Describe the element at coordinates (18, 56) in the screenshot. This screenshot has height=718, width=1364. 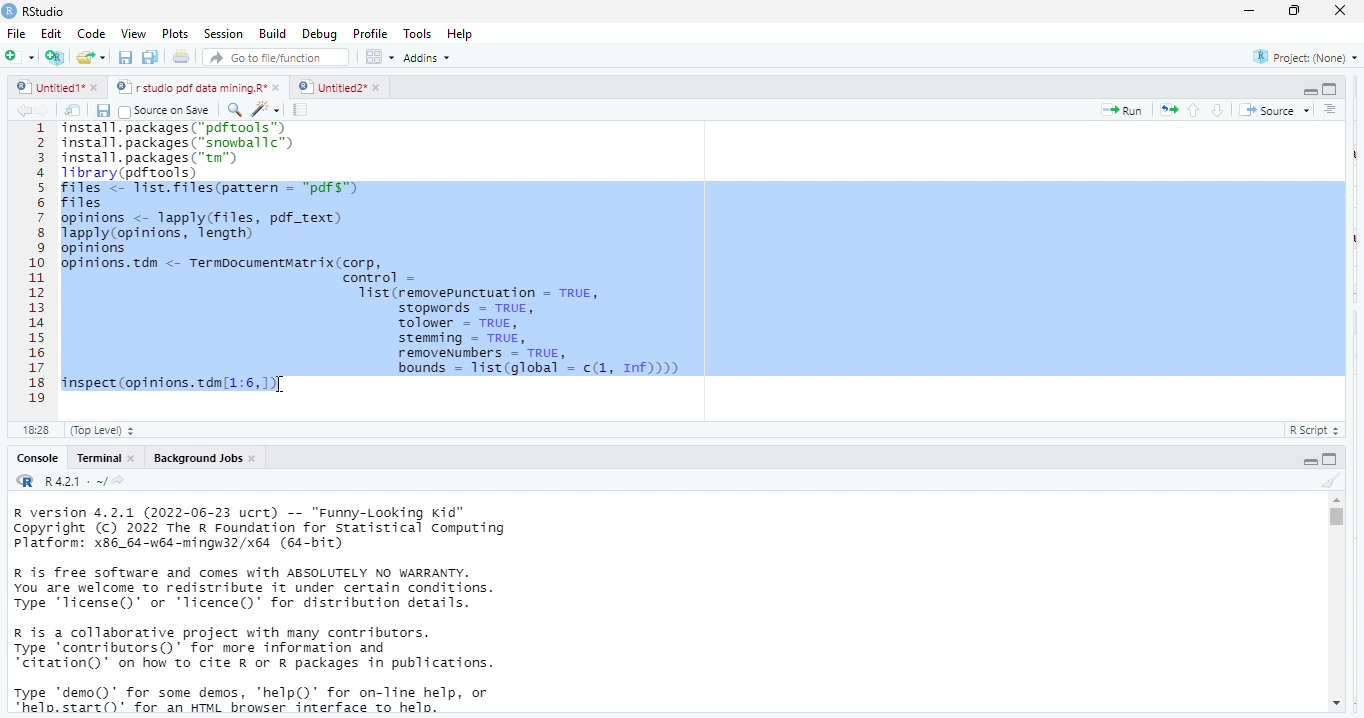
I see `new file` at that location.